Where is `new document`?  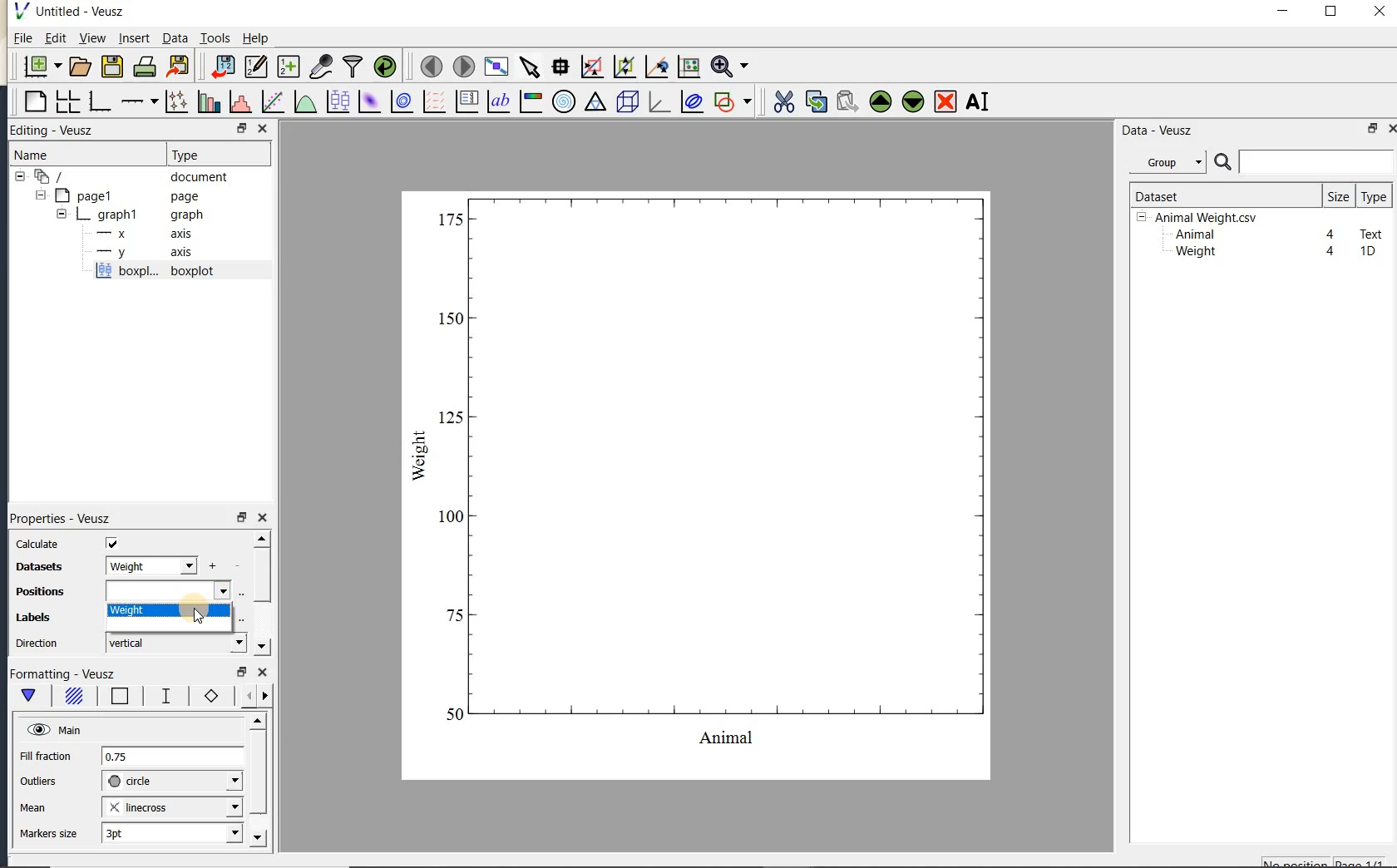 new document is located at coordinates (38, 67).